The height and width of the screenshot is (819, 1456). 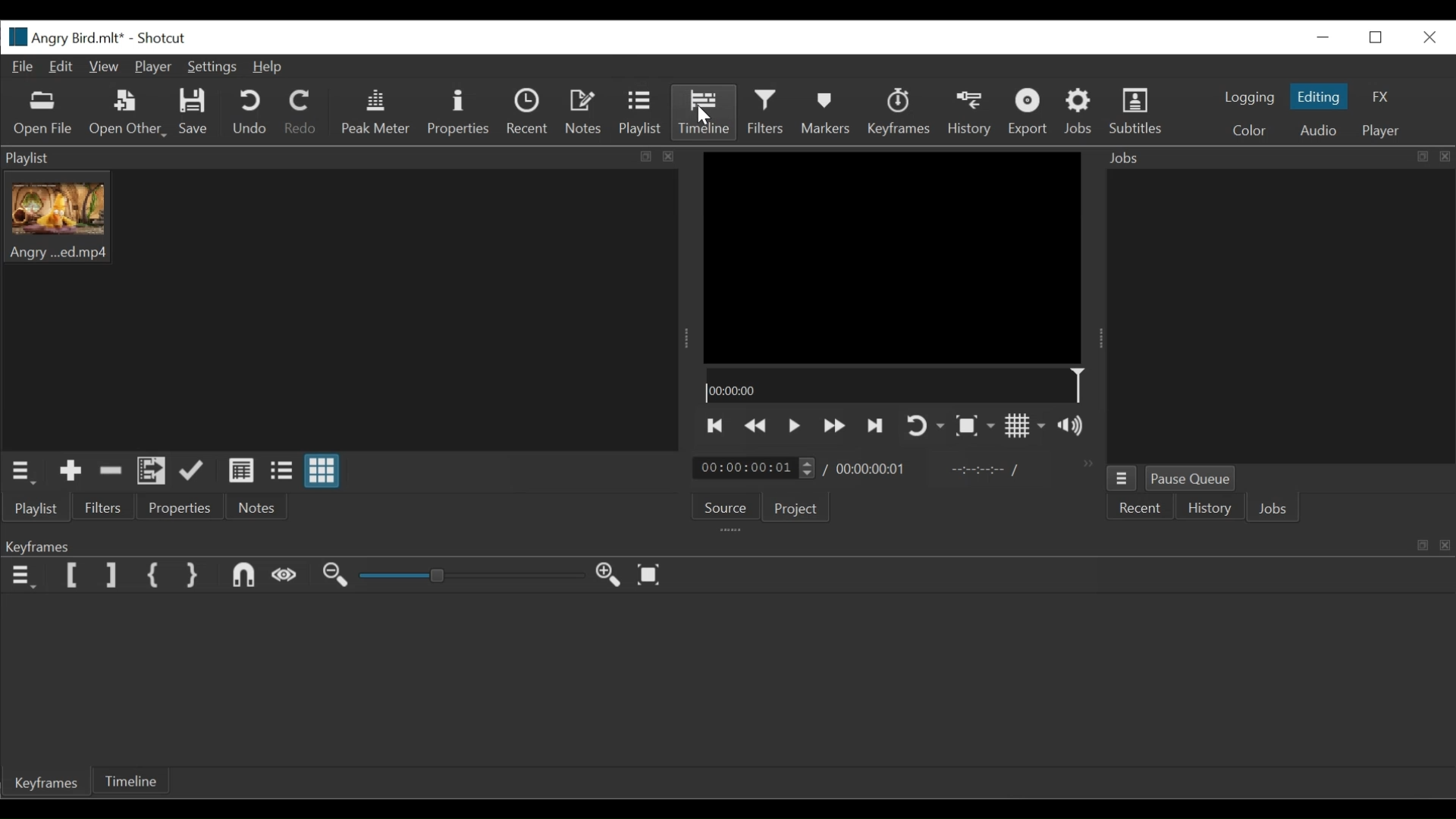 I want to click on Playlist, so click(x=641, y=113).